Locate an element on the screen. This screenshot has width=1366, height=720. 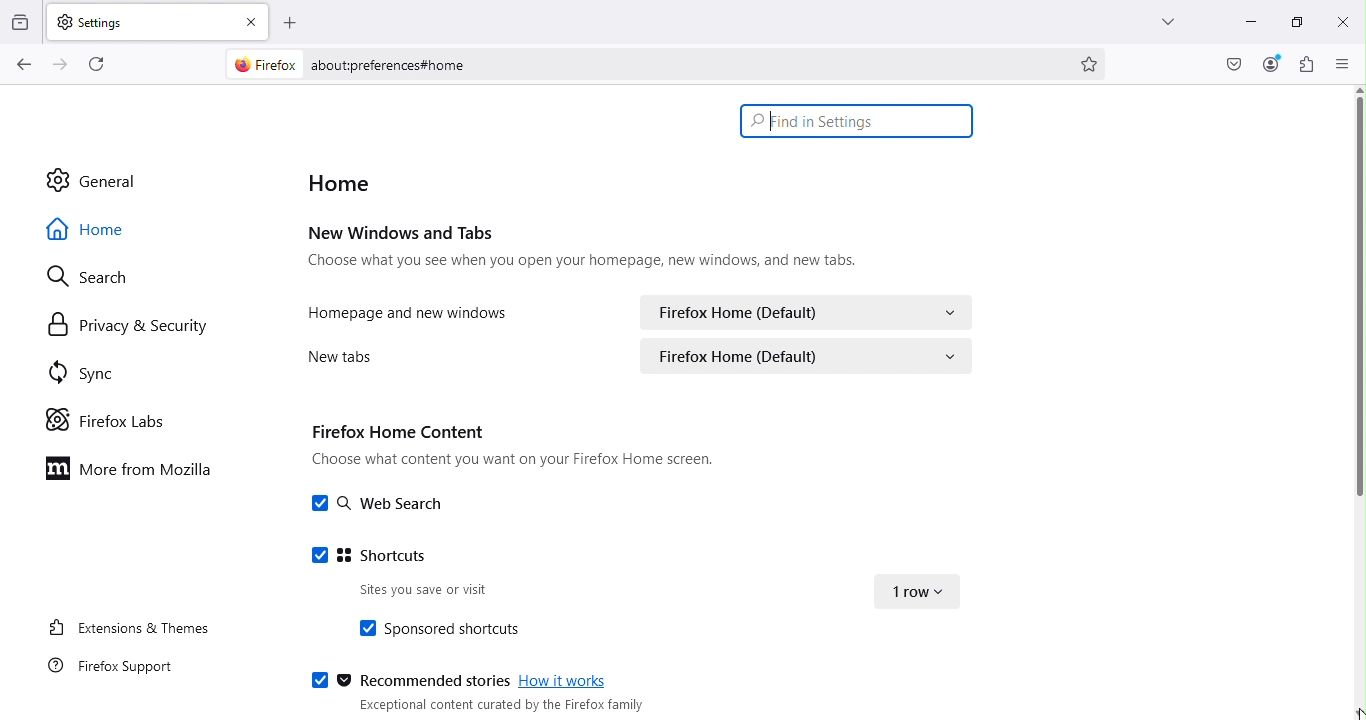
Open a new tab is located at coordinates (292, 21).